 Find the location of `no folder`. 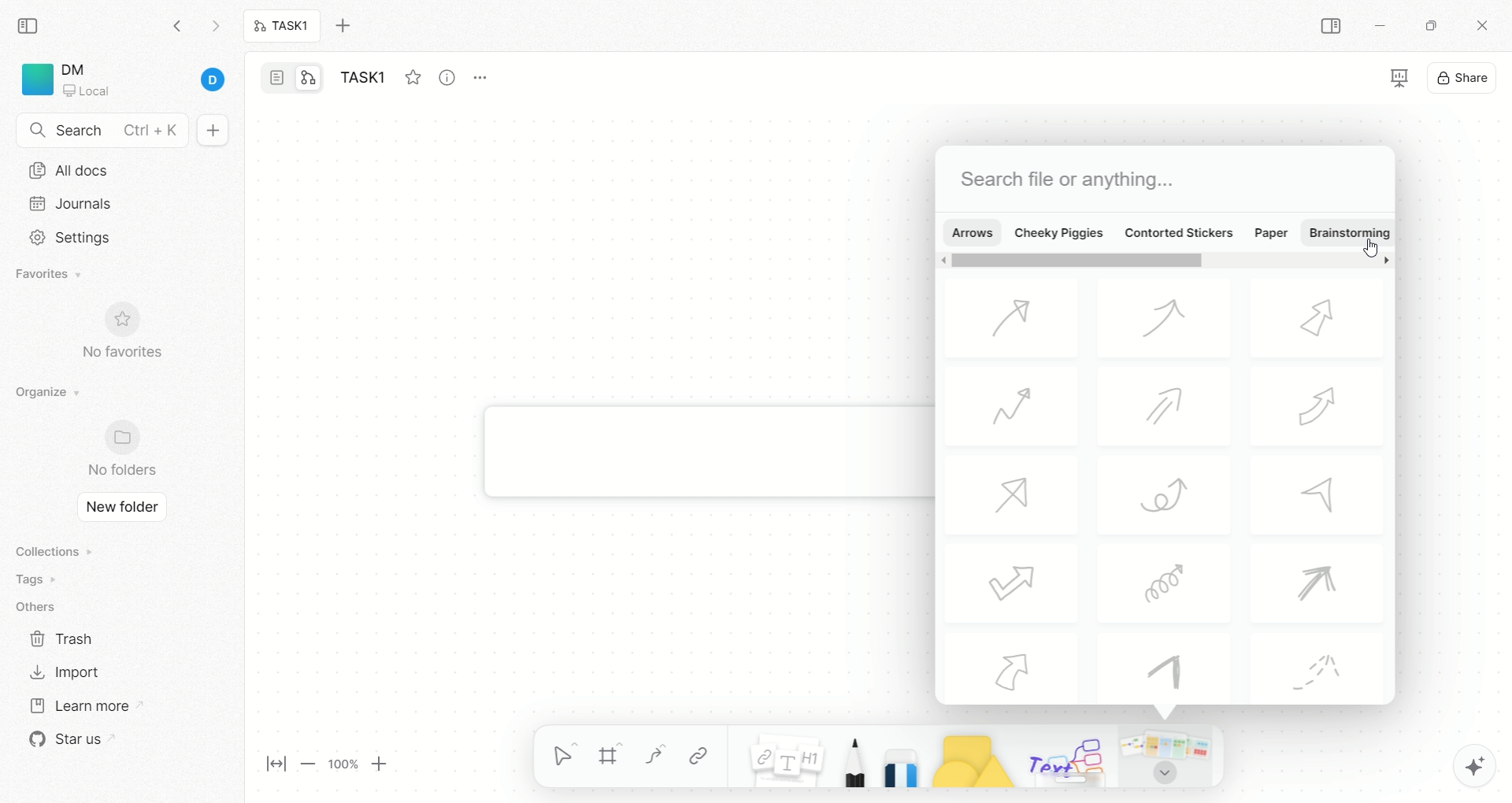

no folder is located at coordinates (115, 450).